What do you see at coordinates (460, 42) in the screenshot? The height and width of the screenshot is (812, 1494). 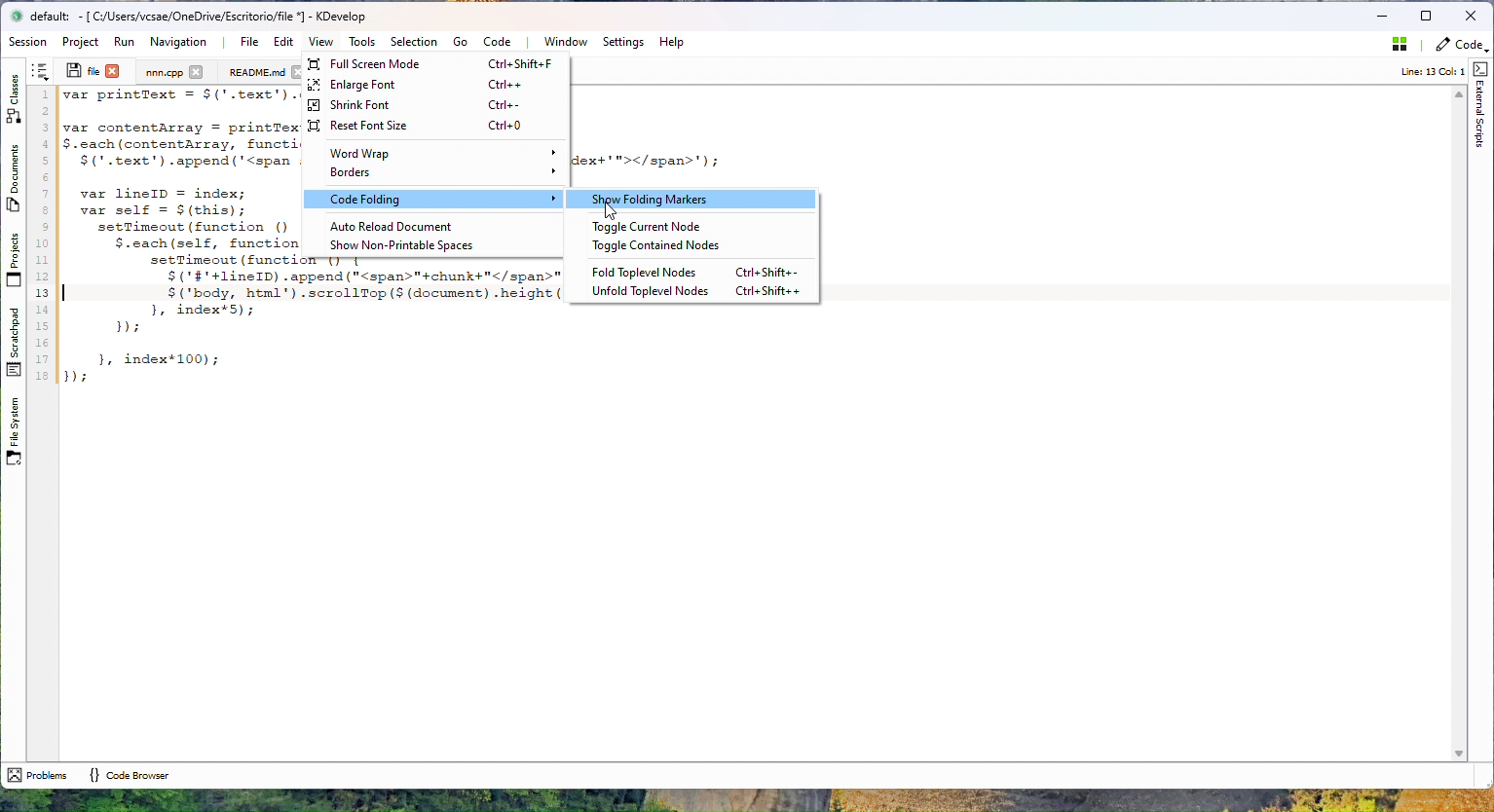 I see `` at bounding box center [460, 42].